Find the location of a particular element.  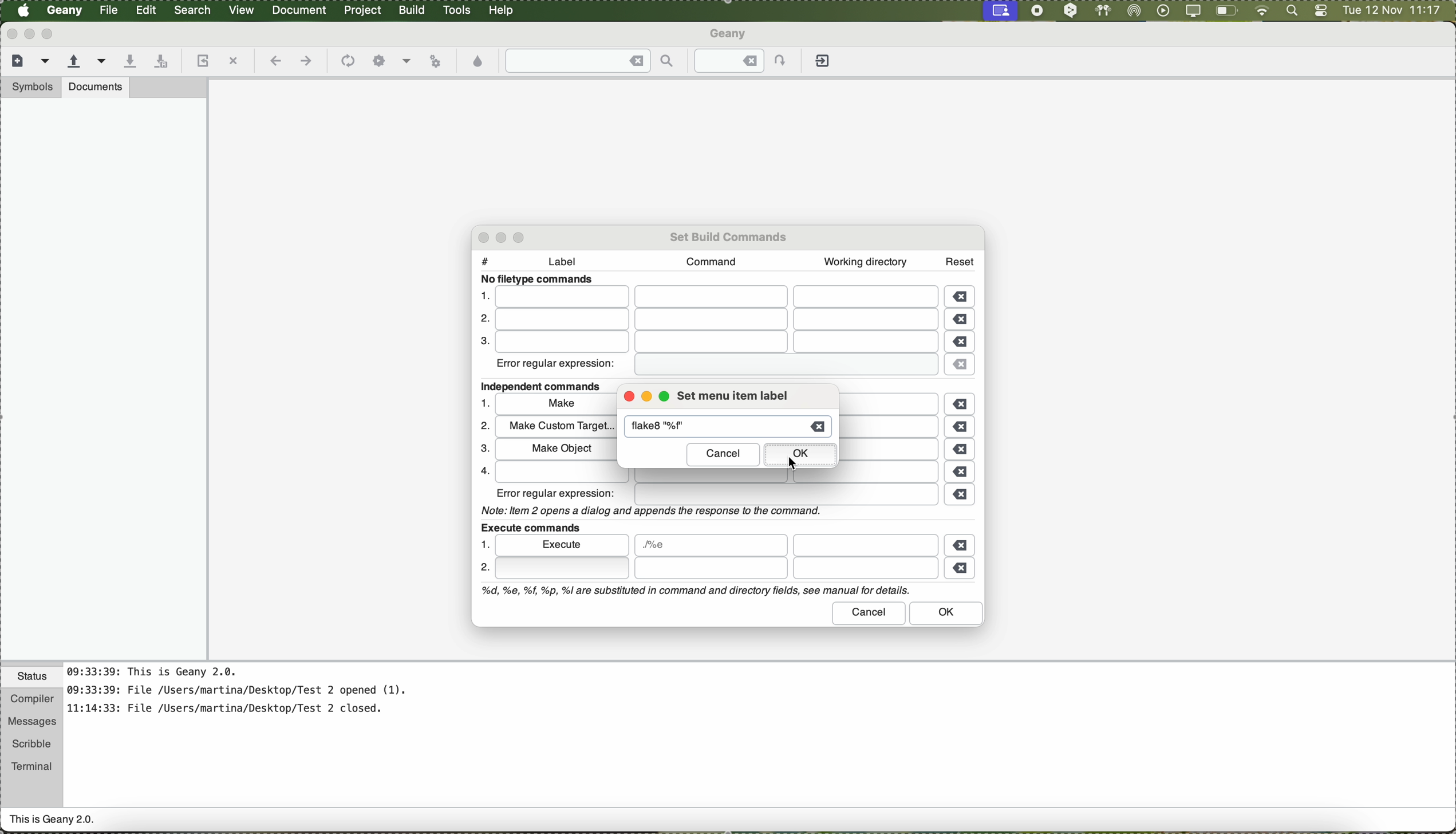

1 is located at coordinates (483, 295).